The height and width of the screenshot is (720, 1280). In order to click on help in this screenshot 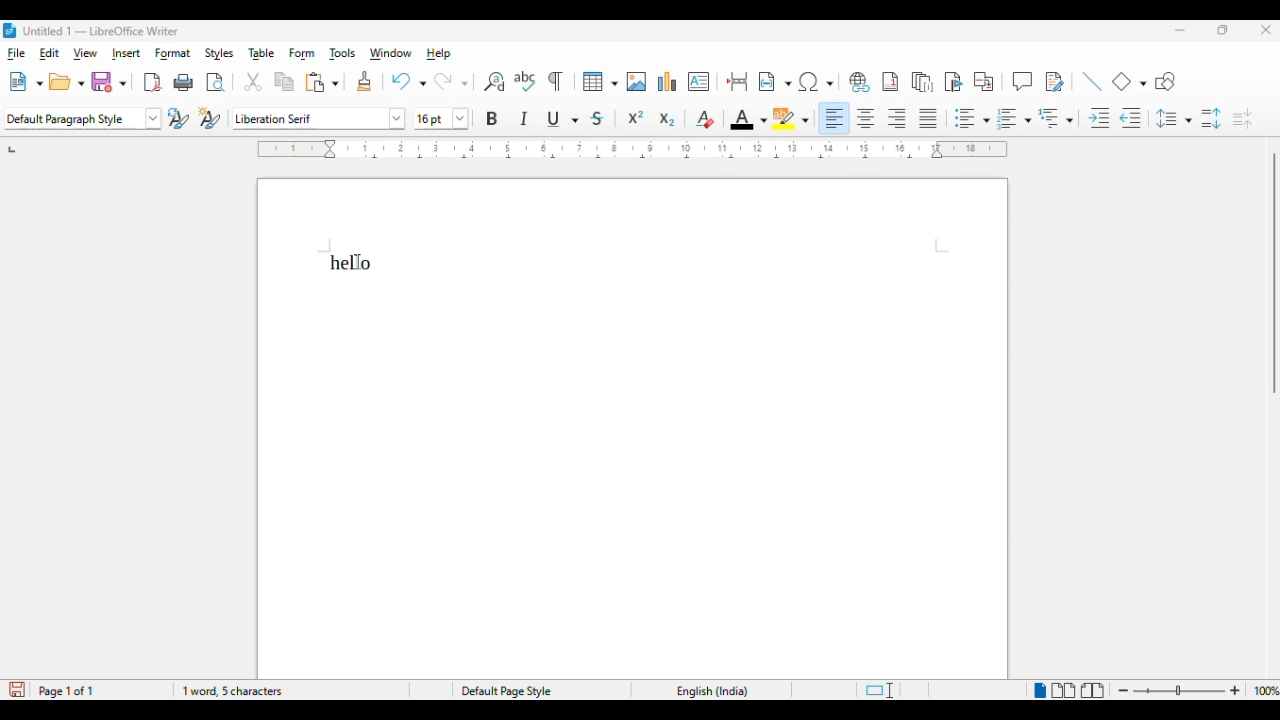, I will do `click(438, 53)`.